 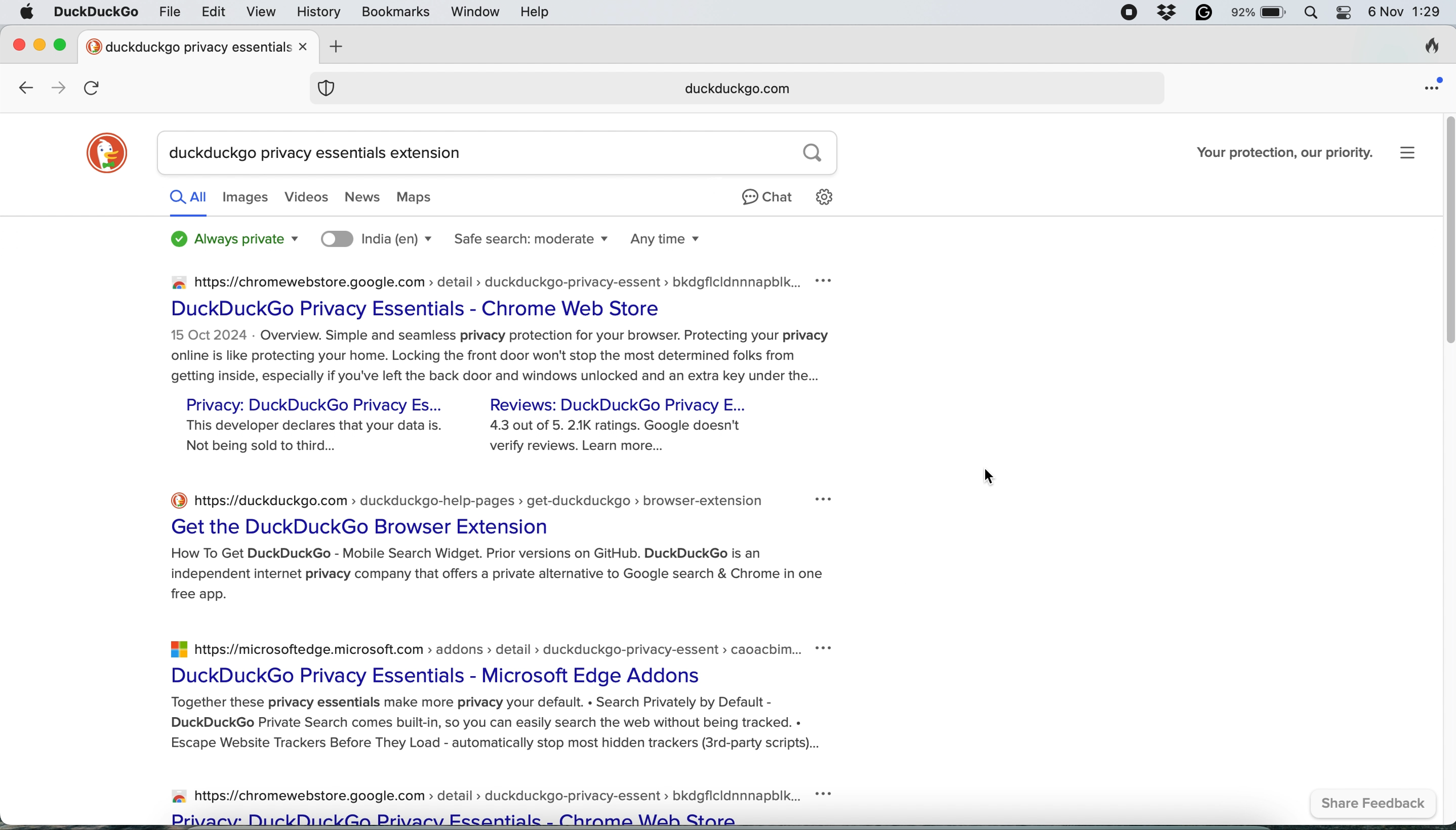 I want to click on https://chromewebstore.google.com, so click(x=485, y=280).